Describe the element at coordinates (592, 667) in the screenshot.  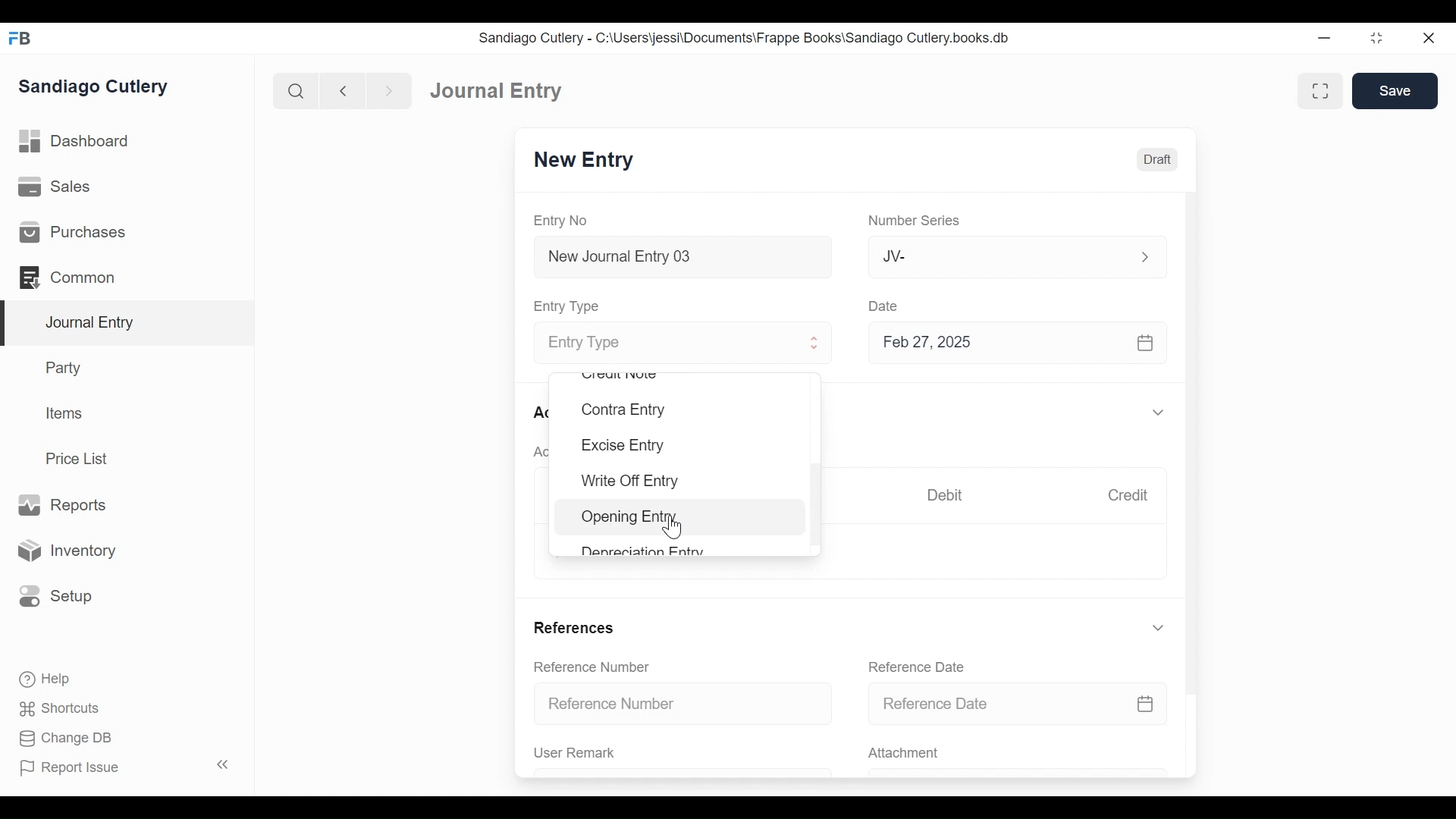
I see `Reference Number` at that location.